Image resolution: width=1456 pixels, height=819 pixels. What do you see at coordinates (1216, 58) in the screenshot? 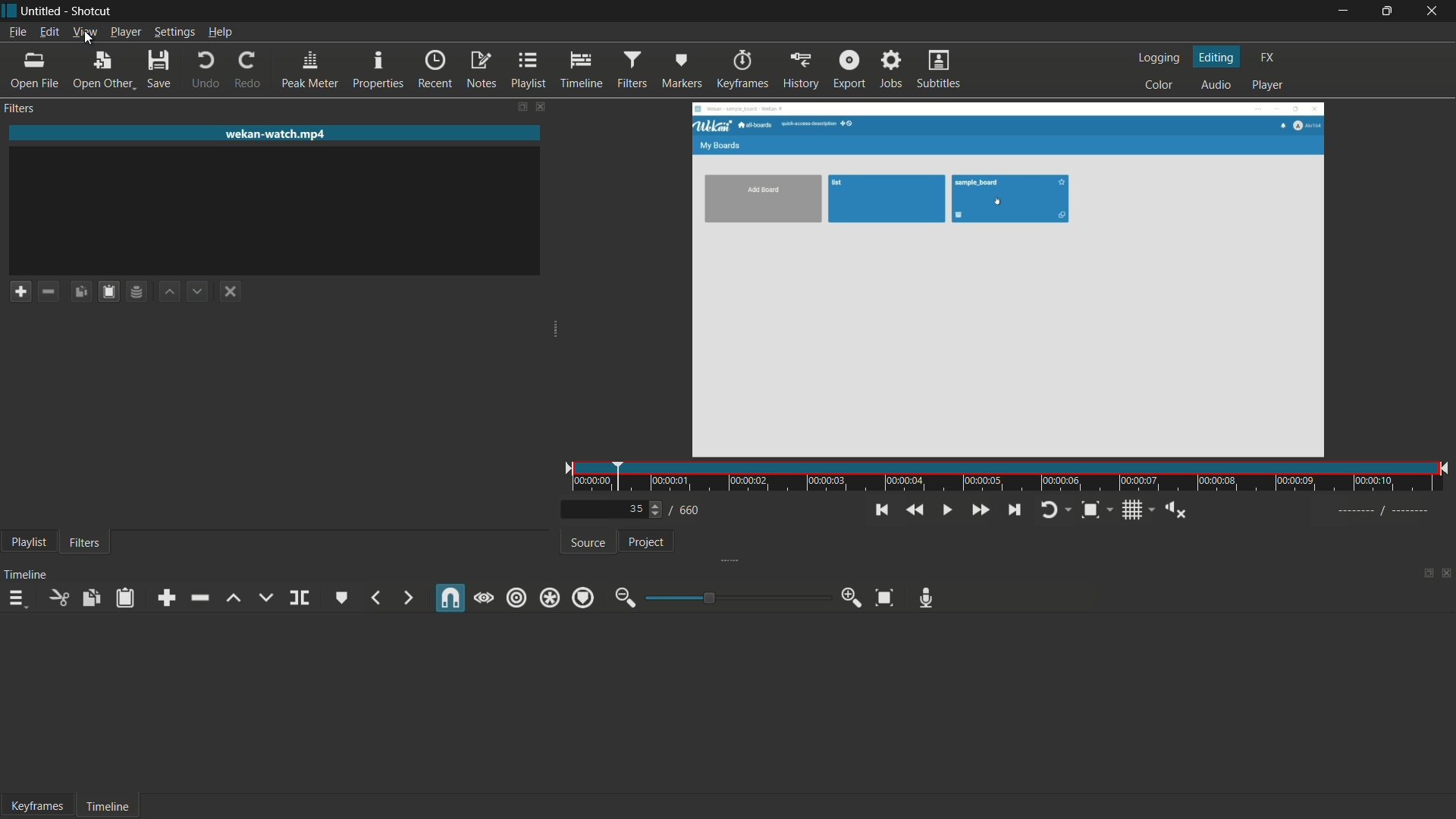
I see `editing` at bounding box center [1216, 58].